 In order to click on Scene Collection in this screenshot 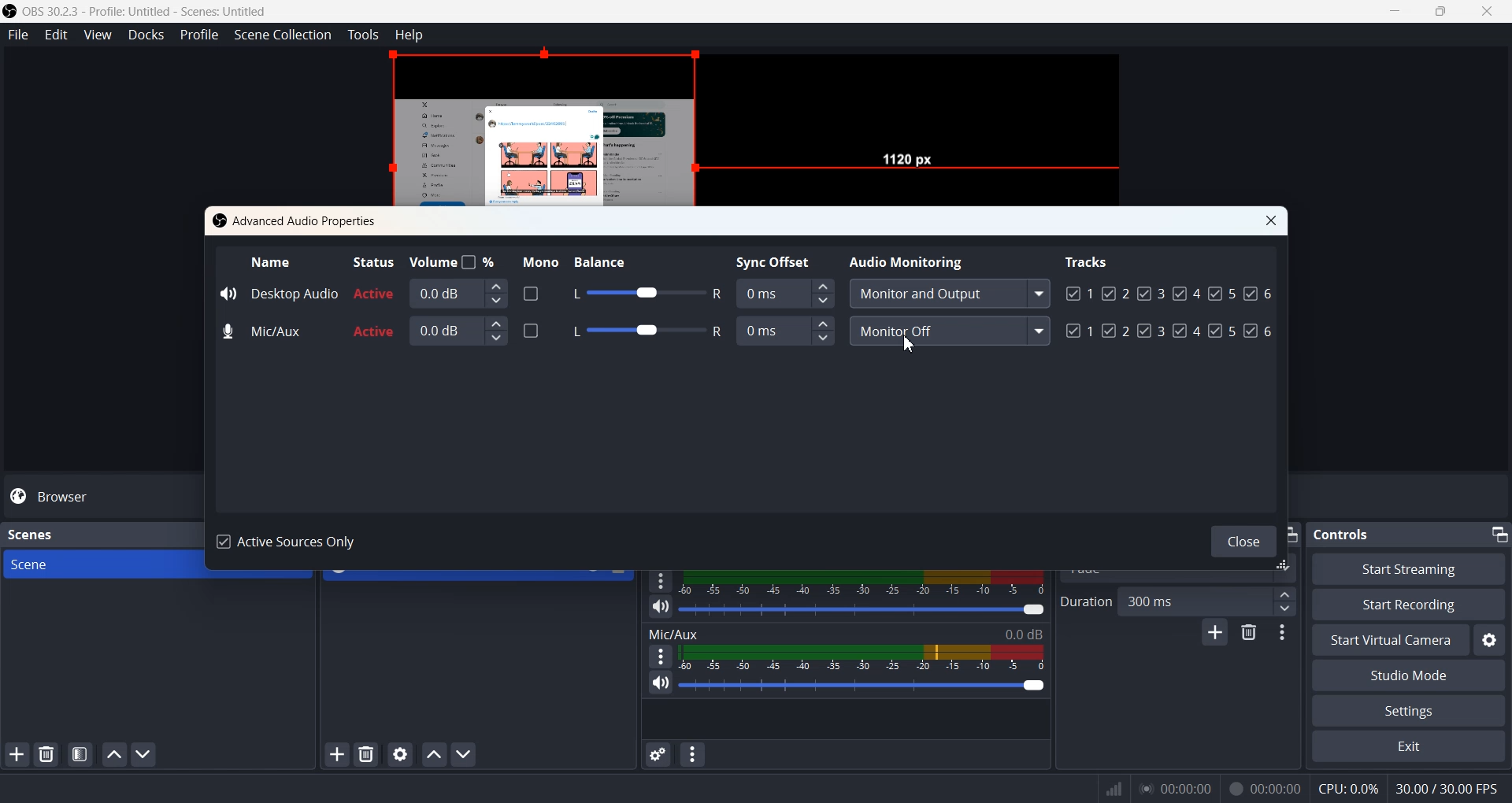, I will do `click(283, 35)`.